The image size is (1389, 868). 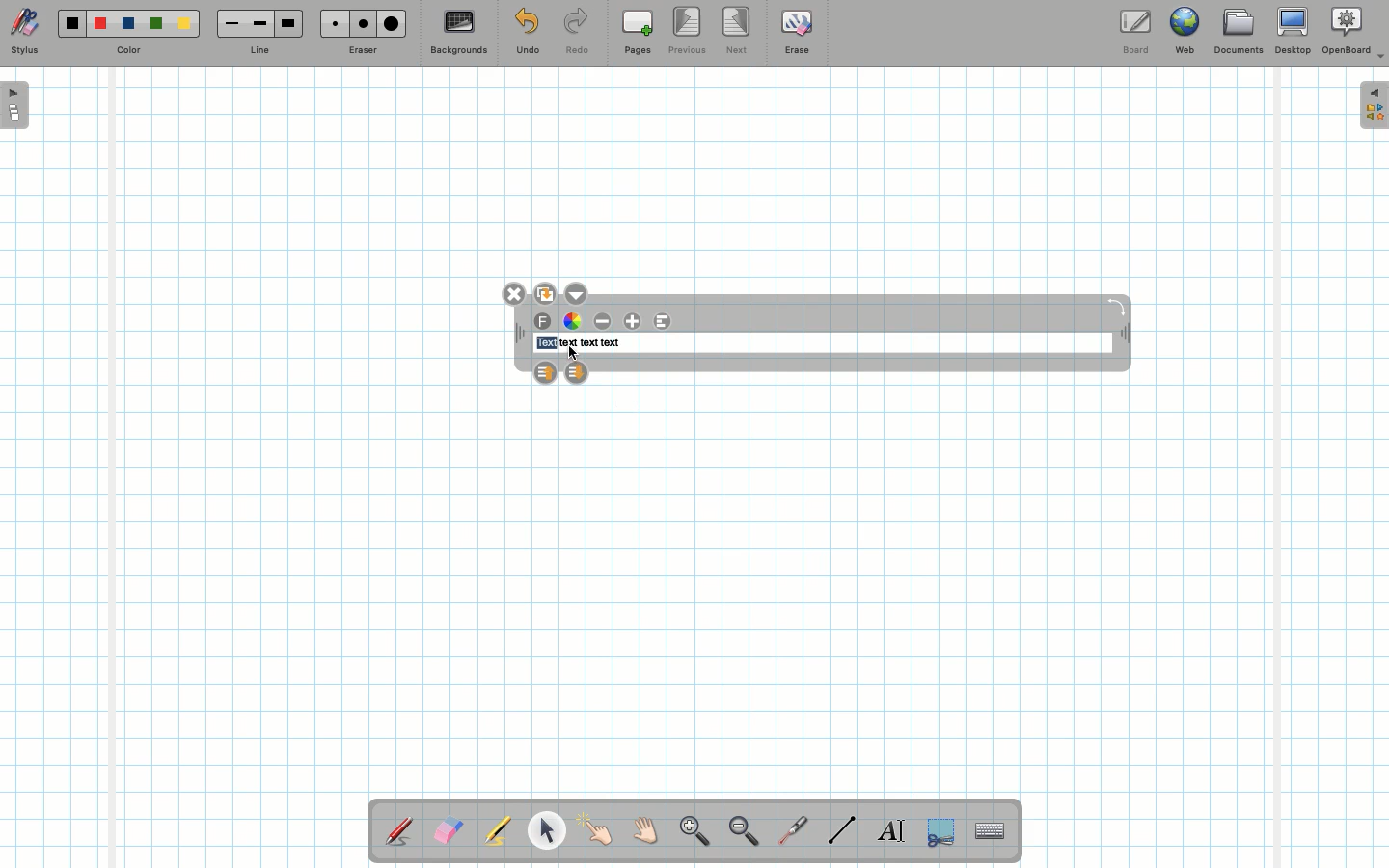 I want to click on Alignment, so click(x=662, y=322).